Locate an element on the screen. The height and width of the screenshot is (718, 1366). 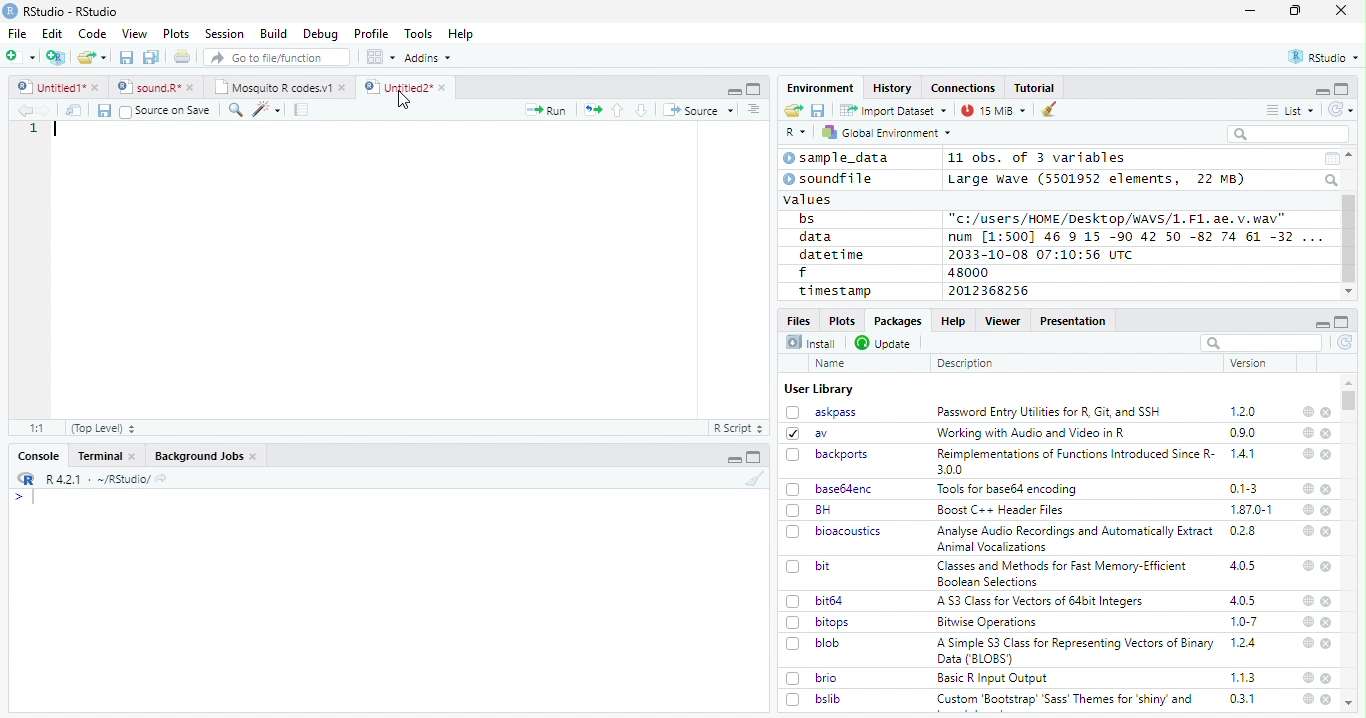
Calendar is located at coordinates (1331, 159).